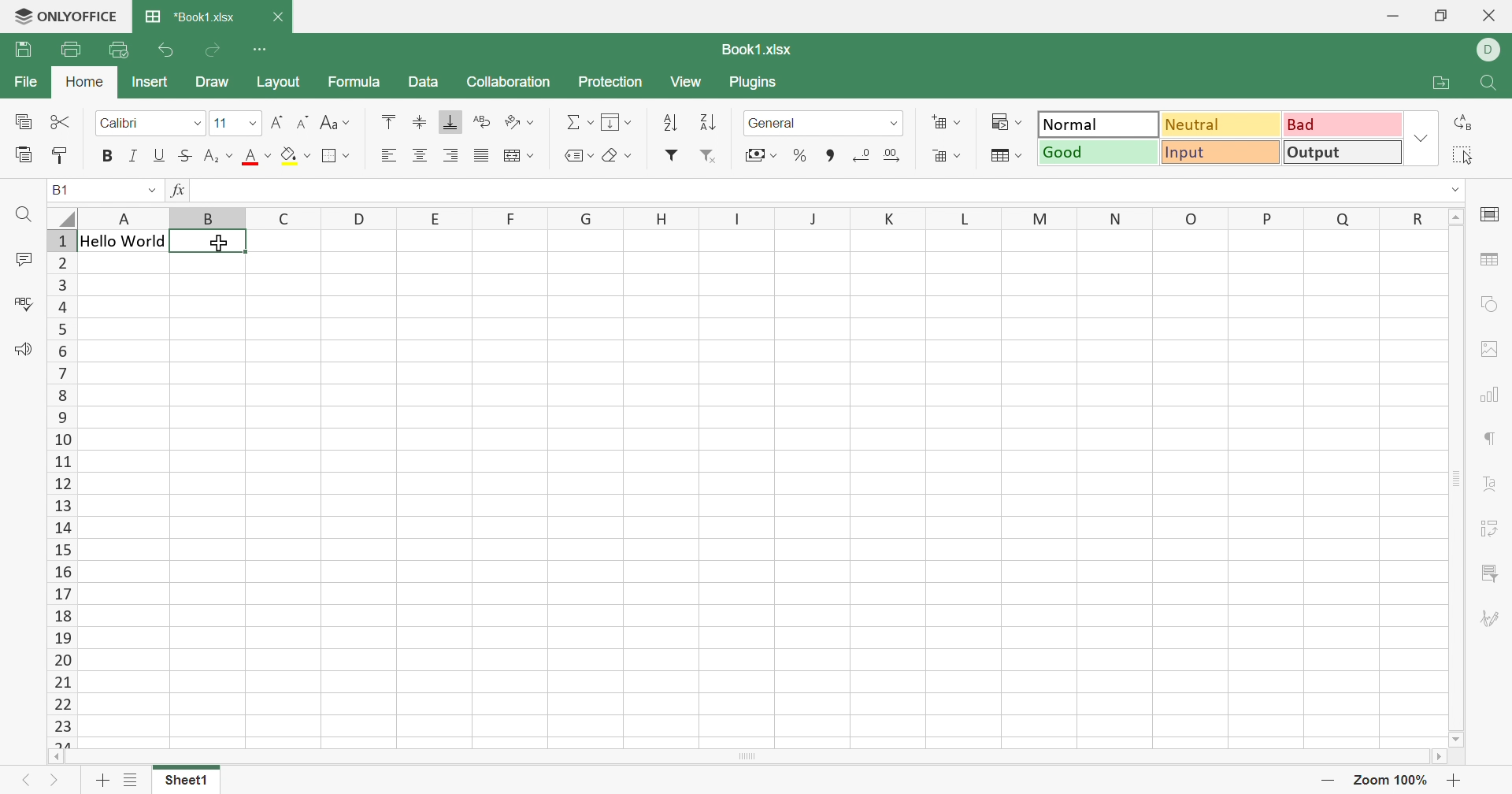 This screenshot has width=1512, height=794. What do you see at coordinates (451, 121) in the screenshot?
I see `Align bottom` at bounding box center [451, 121].